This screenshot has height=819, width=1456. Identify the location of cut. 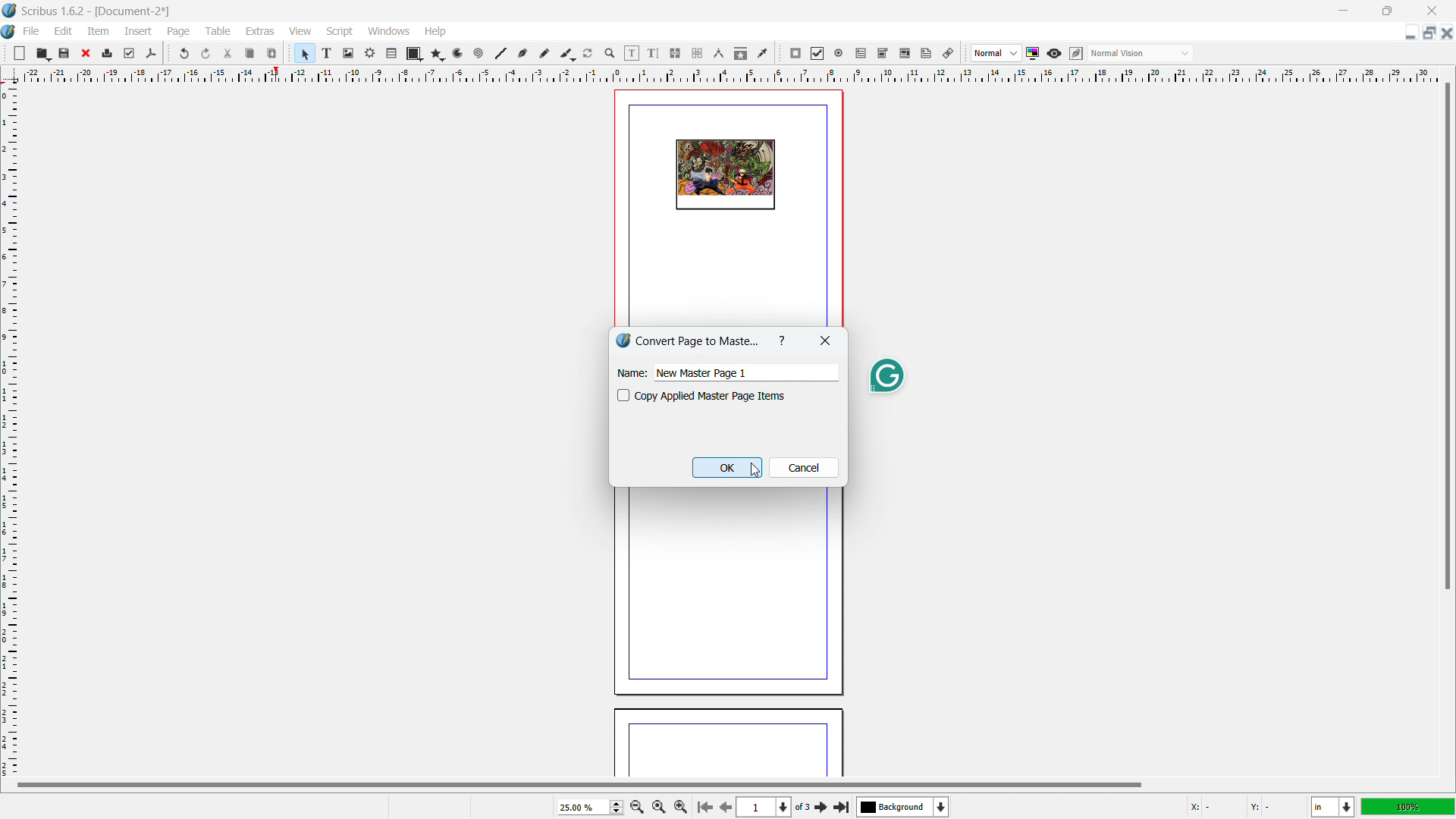
(229, 53).